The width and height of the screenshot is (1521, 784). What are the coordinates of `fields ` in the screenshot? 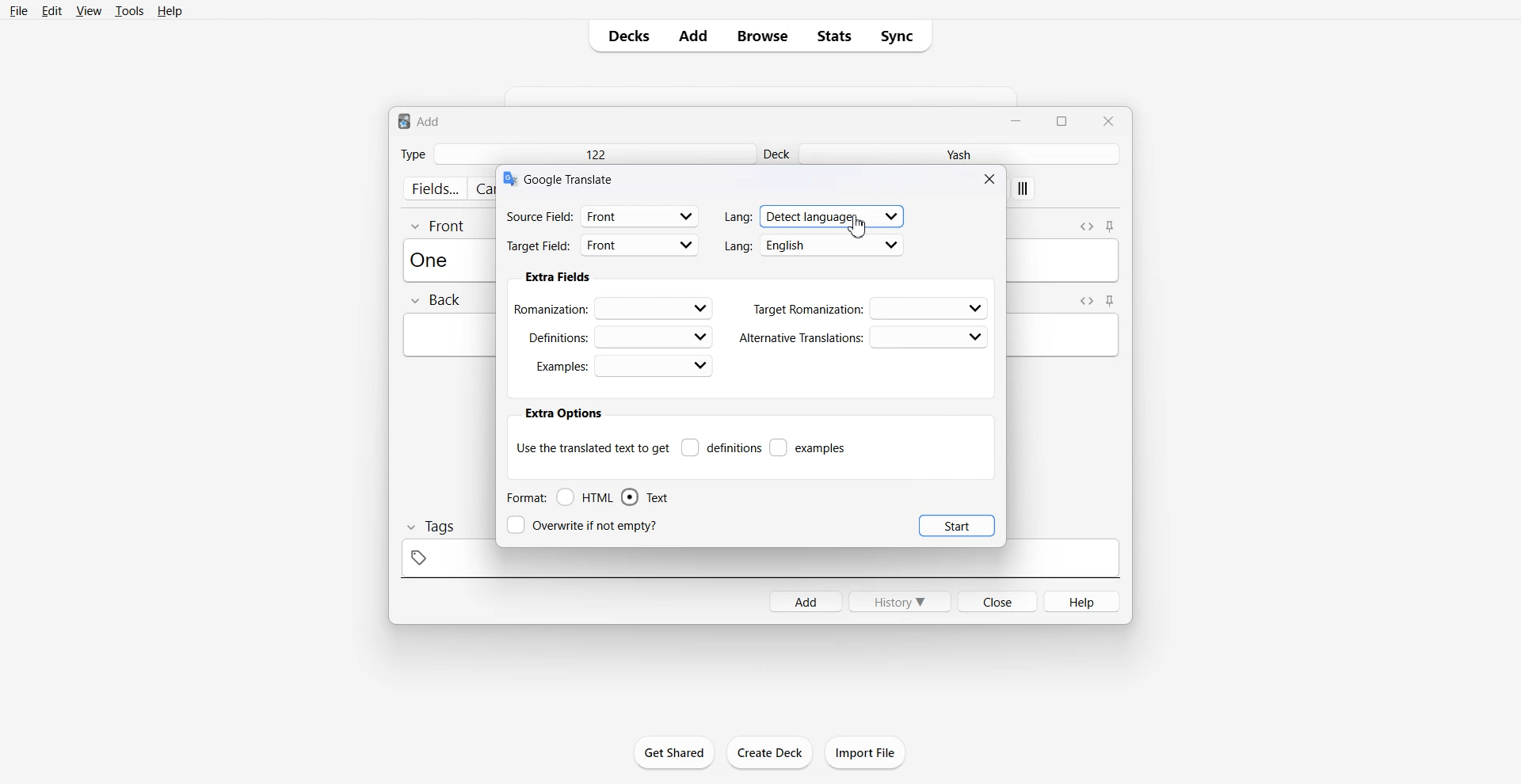 It's located at (434, 188).